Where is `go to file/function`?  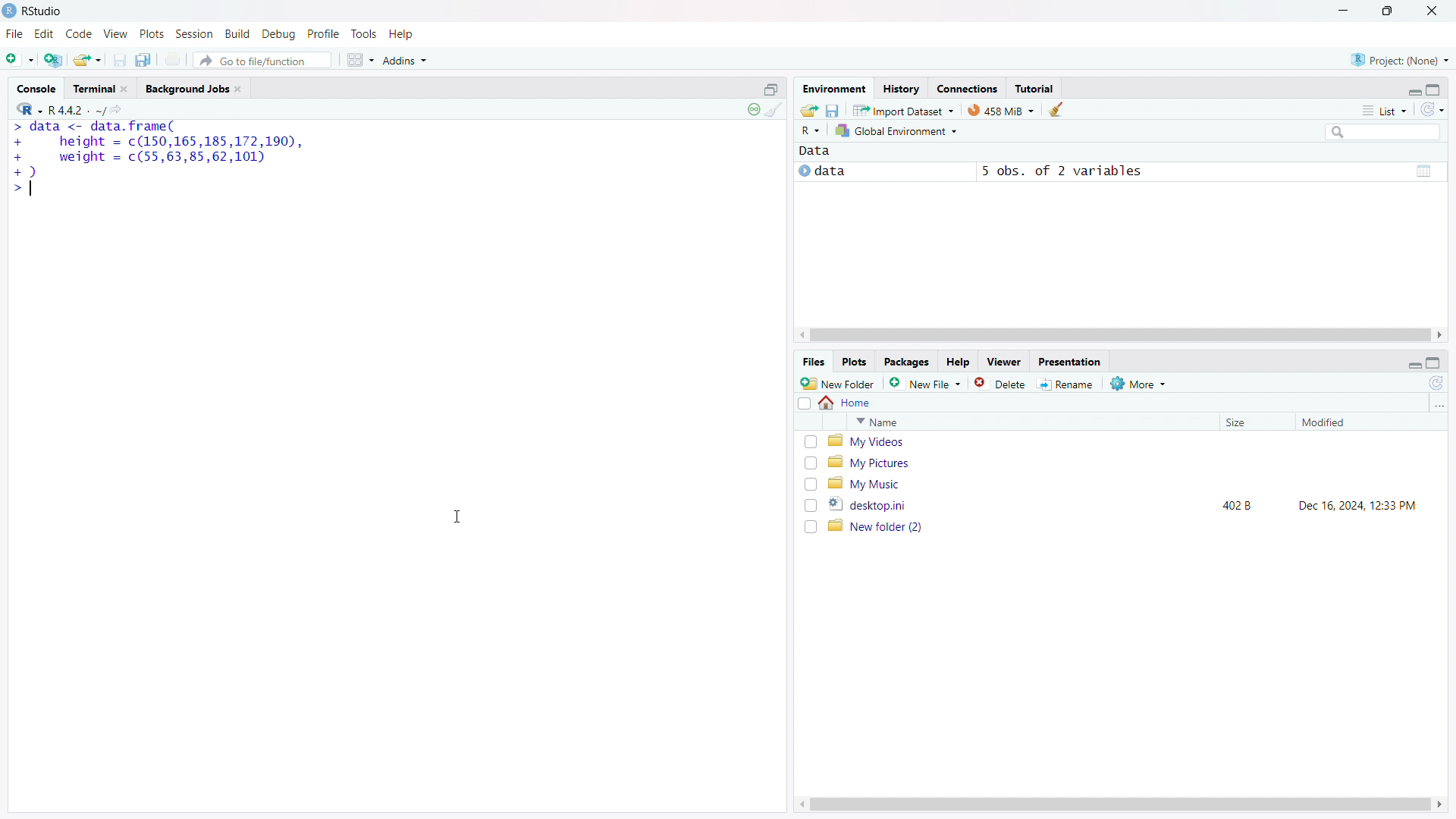
go to file/function is located at coordinates (262, 60).